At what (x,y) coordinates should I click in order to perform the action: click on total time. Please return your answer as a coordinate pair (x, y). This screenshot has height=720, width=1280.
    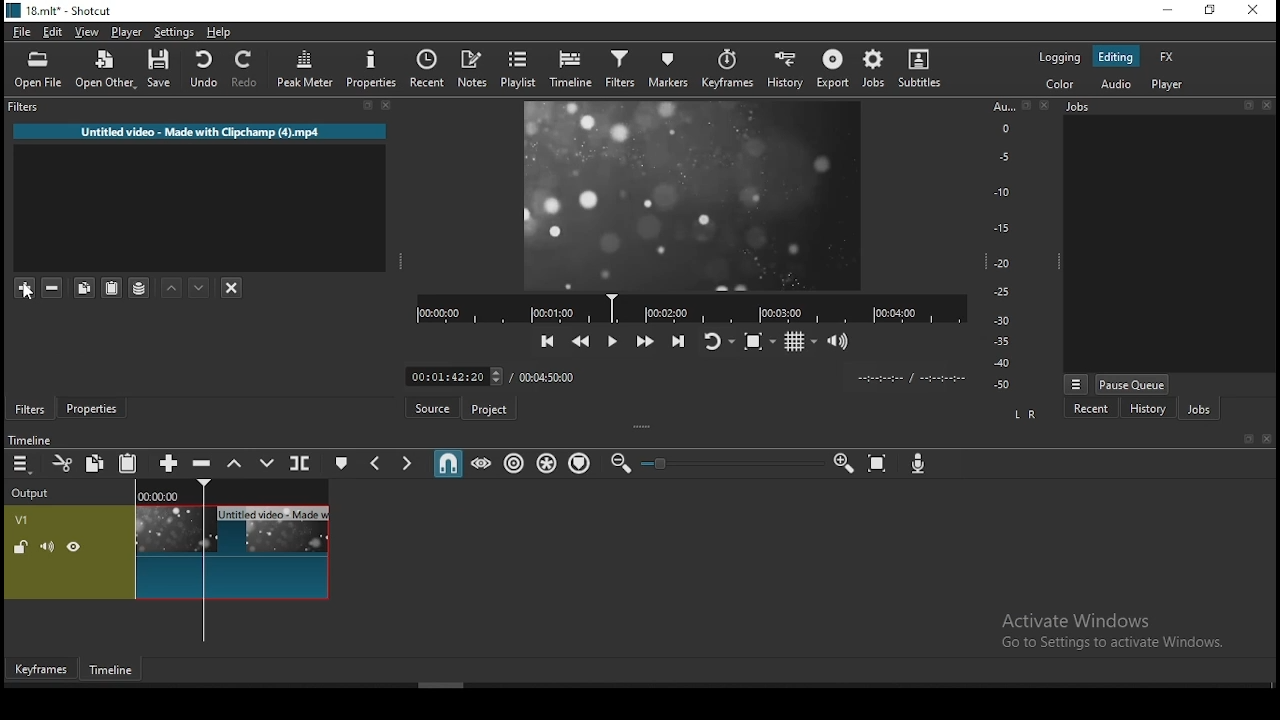
    Looking at the image, I should click on (550, 376).